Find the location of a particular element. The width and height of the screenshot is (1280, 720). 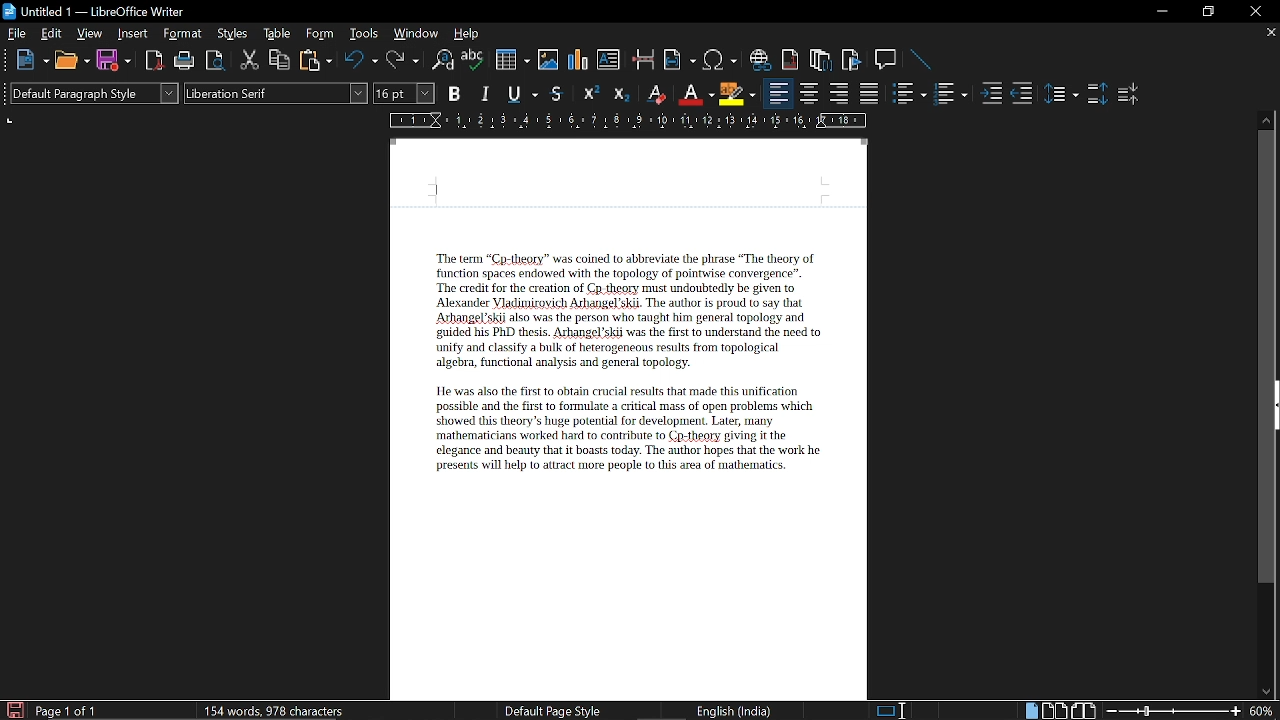

Insert comment is located at coordinates (887, 59).